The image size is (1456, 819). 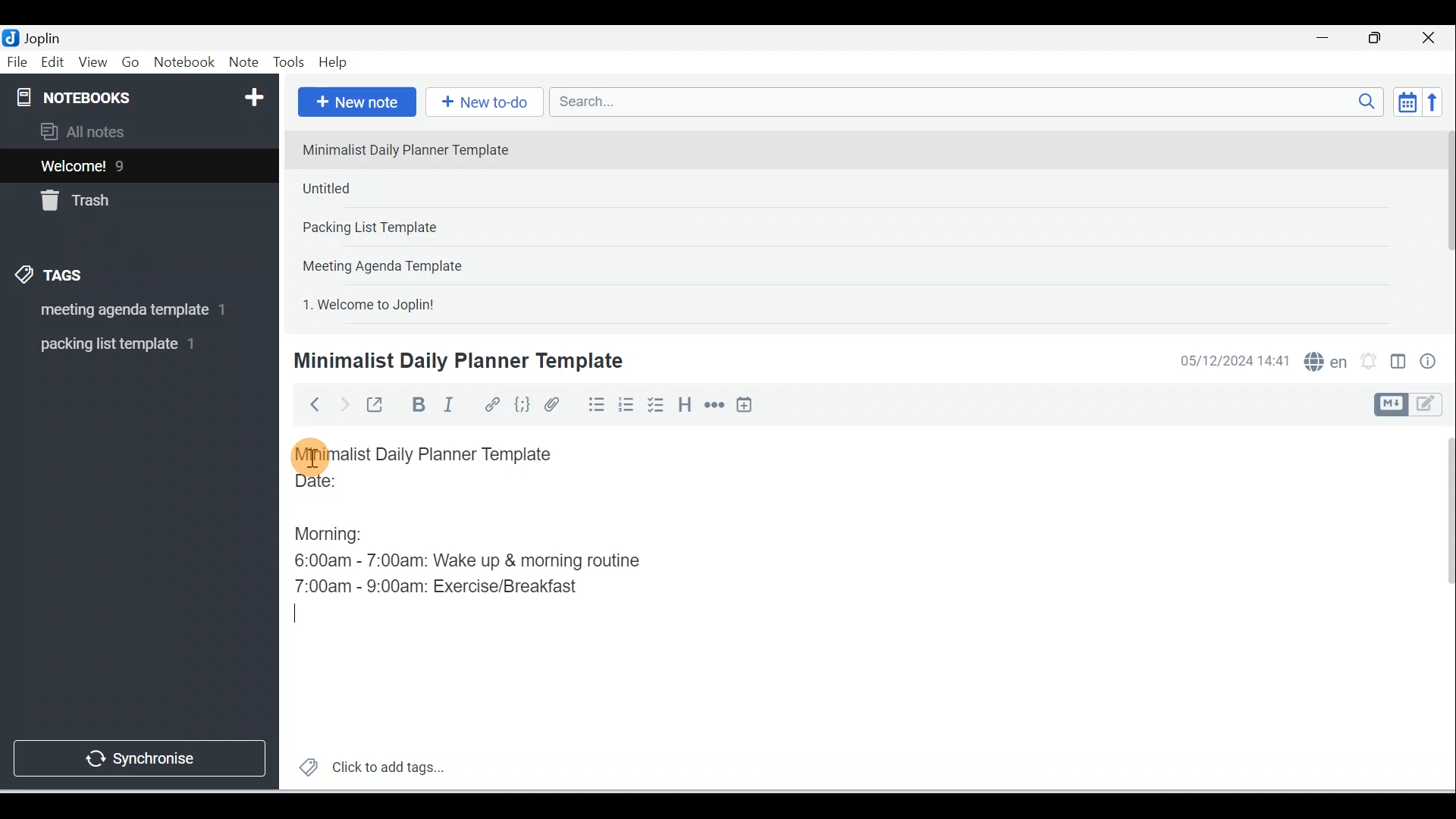 What do you see at coordinates (416, 405) in the screenshot?
I see `Bold` at bounding box center [416, 405].